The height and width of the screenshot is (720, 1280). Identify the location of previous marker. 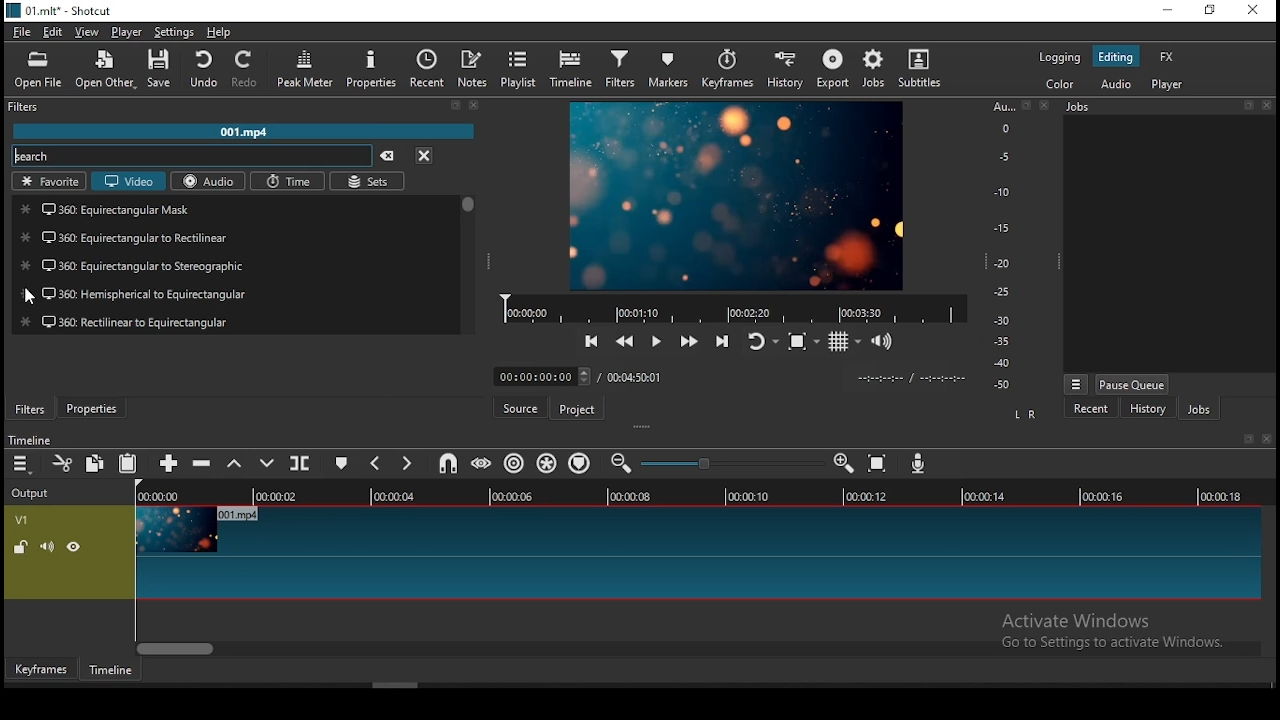
(376, 463).